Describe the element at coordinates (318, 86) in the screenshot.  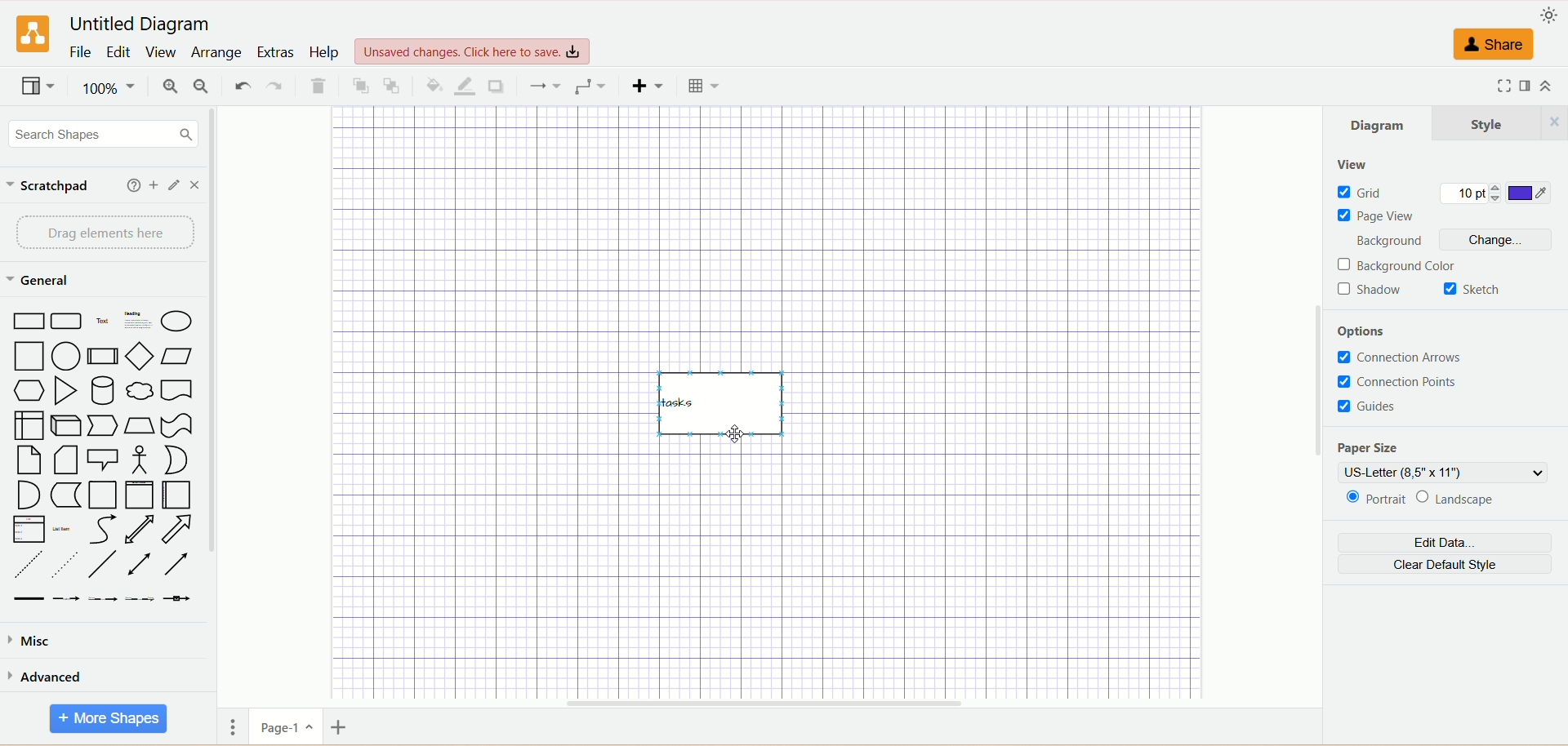
I see `delete` at that location.